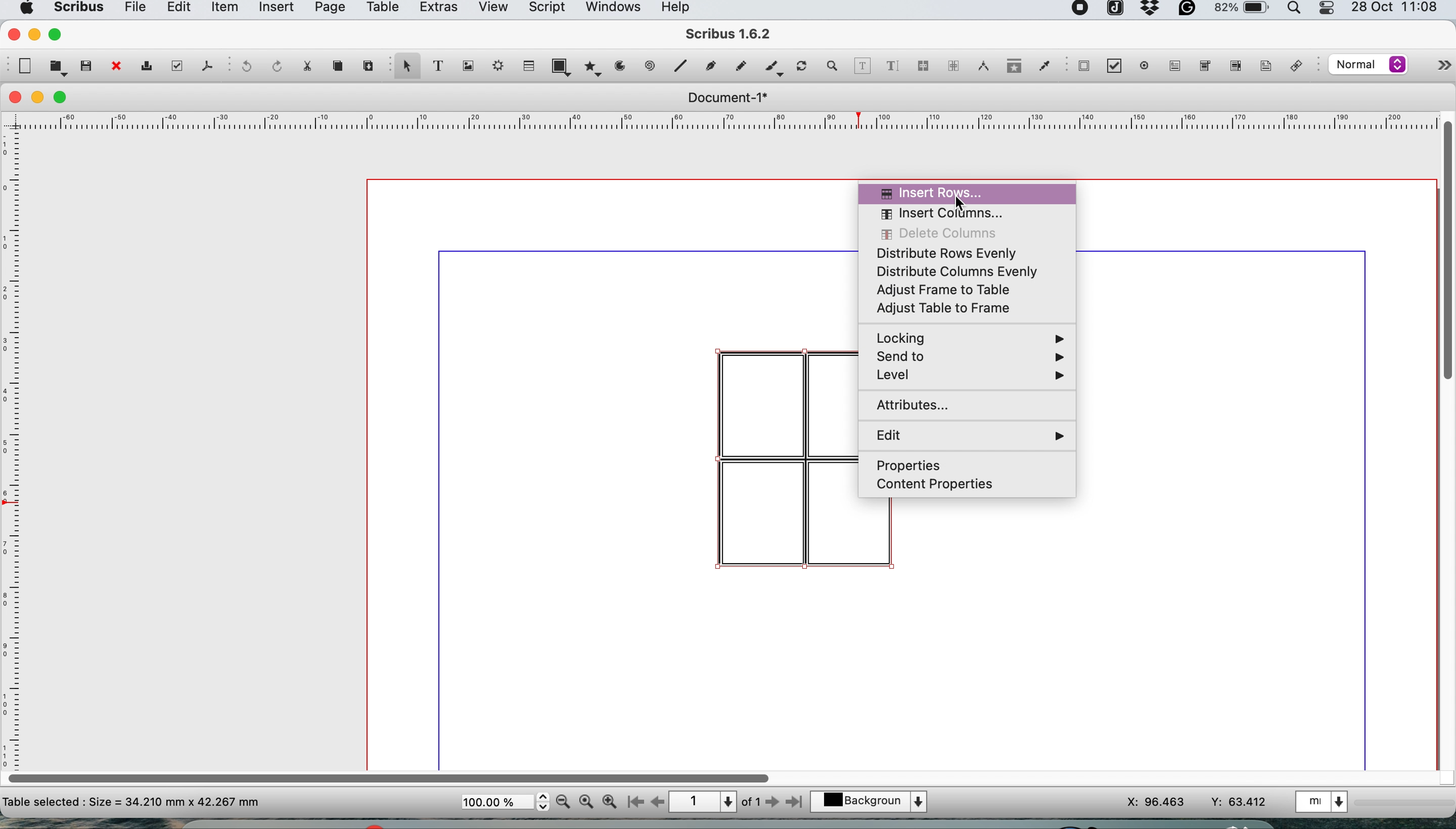  Describe the element at coordinates (942, 190) in the screenshot. I see `insert rows` at that location.